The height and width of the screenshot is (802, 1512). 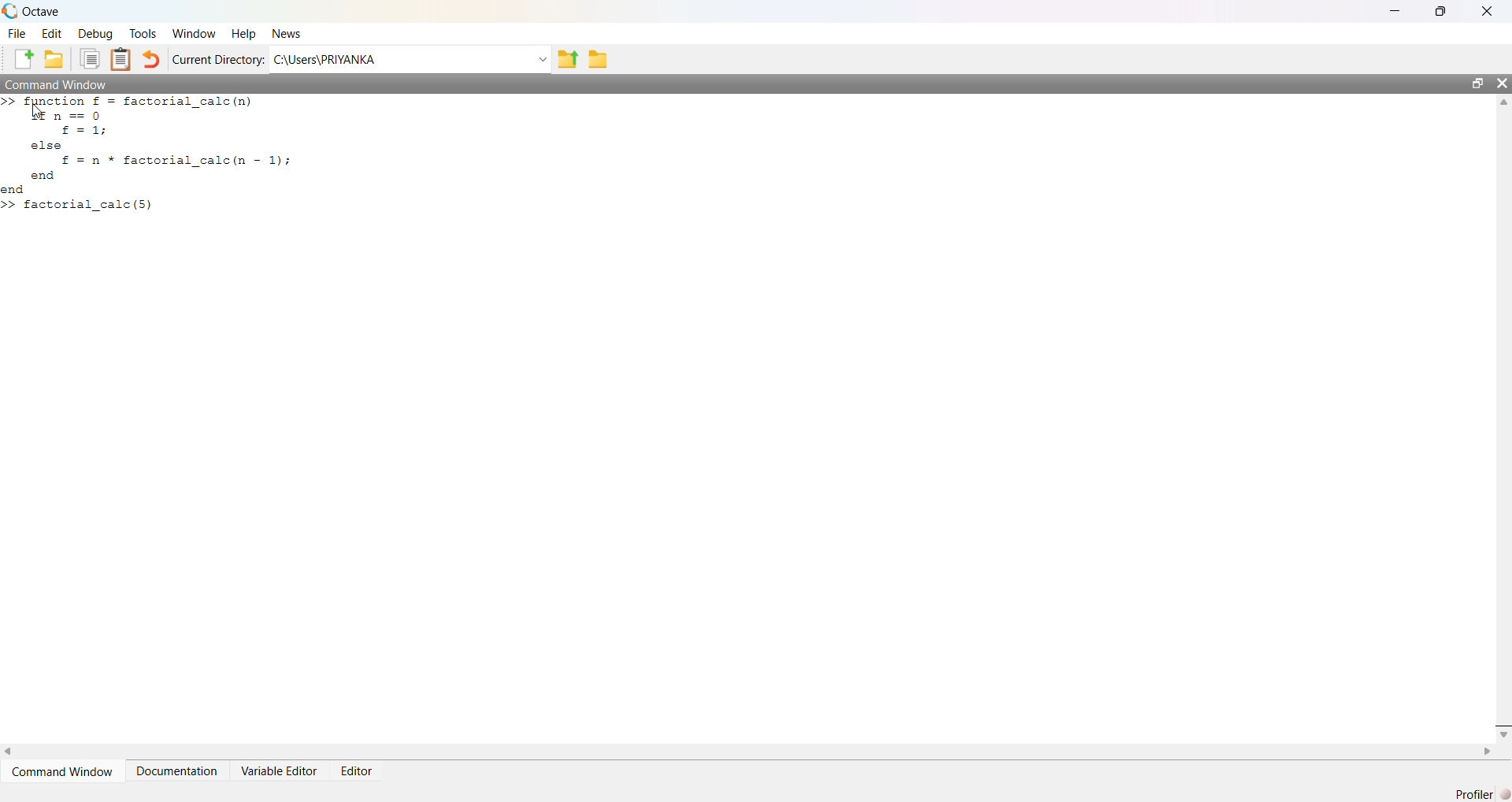 I want to click on scroll left, so click(x=9, y=751).